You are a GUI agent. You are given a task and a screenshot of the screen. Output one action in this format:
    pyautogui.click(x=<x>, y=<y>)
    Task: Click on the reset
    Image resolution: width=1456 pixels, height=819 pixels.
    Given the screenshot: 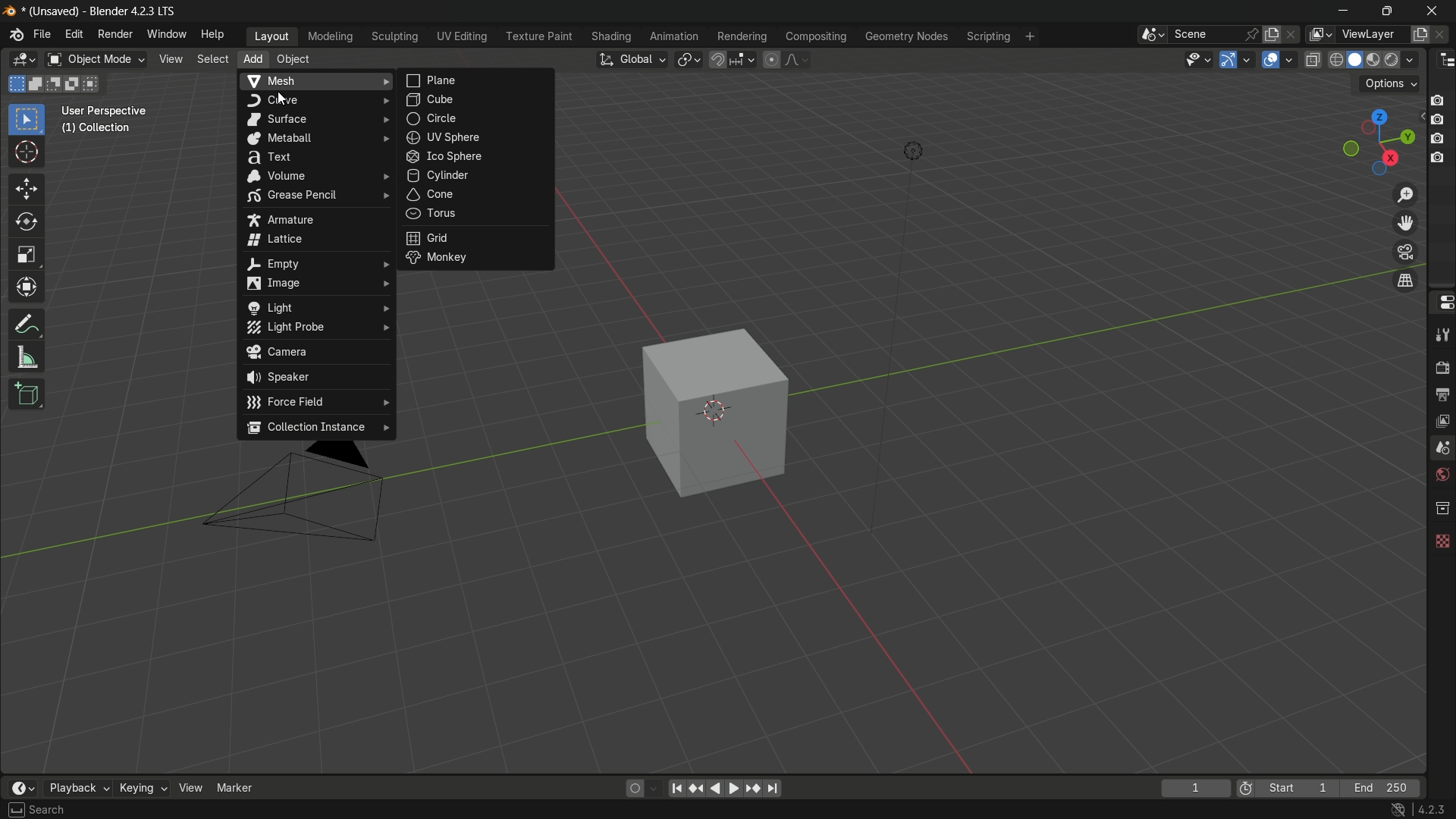 What is the action you would take?
    pyautogui.click(x=698, y=789)
    